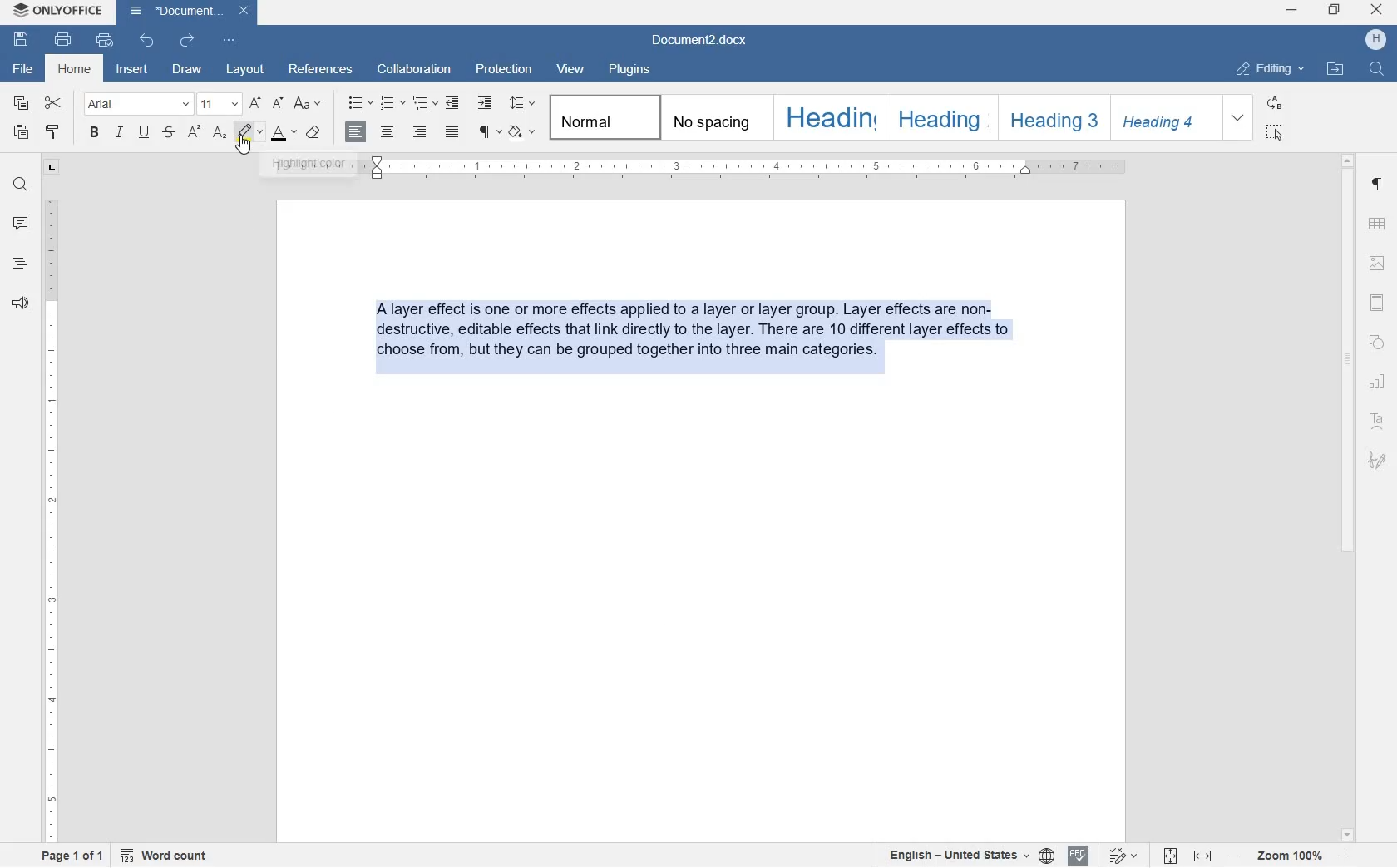  Describe the element at coordinates (1375, 10) in the screenshot. I see `CLOSE` at that location.